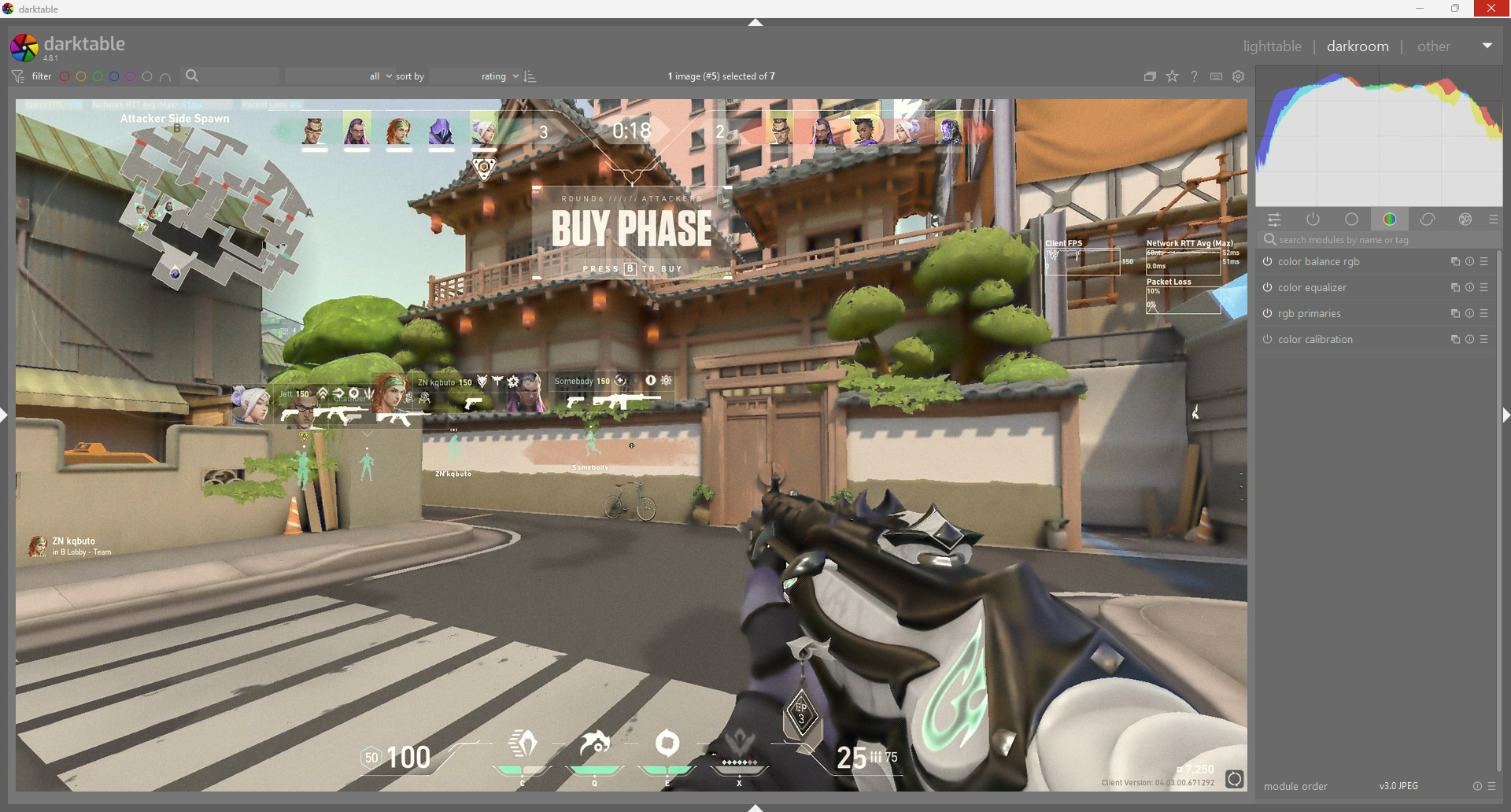 The width and height of the screenshot is (1511, 812). What do you see at coordinates (1450, 262) in the screenshot?
I see `multiple instances action` at bounding box center [1450, 262].